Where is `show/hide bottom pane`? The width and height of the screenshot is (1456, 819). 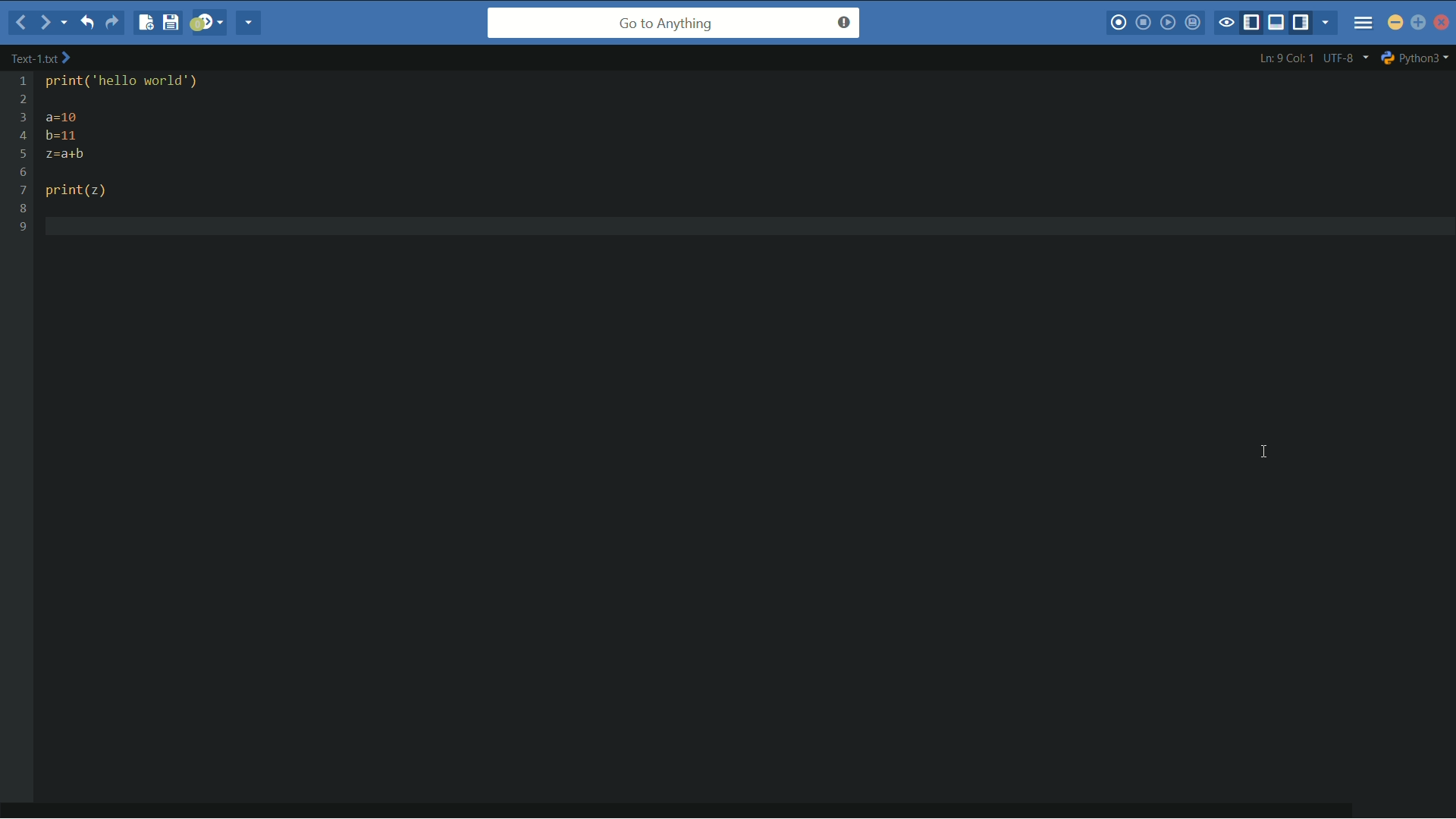
show/hide bottom pane is located at coordinates (1279, 24).